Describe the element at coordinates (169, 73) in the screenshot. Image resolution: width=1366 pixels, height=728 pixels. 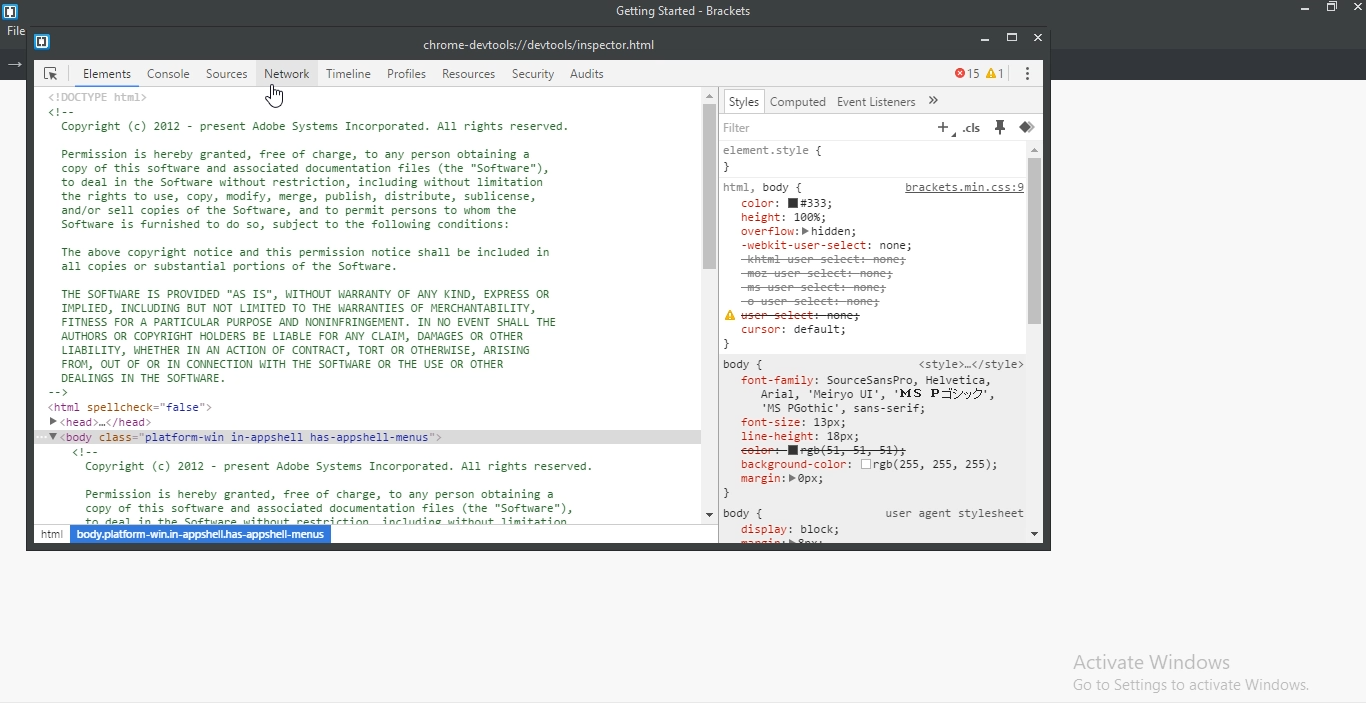
I see `console` at that location.